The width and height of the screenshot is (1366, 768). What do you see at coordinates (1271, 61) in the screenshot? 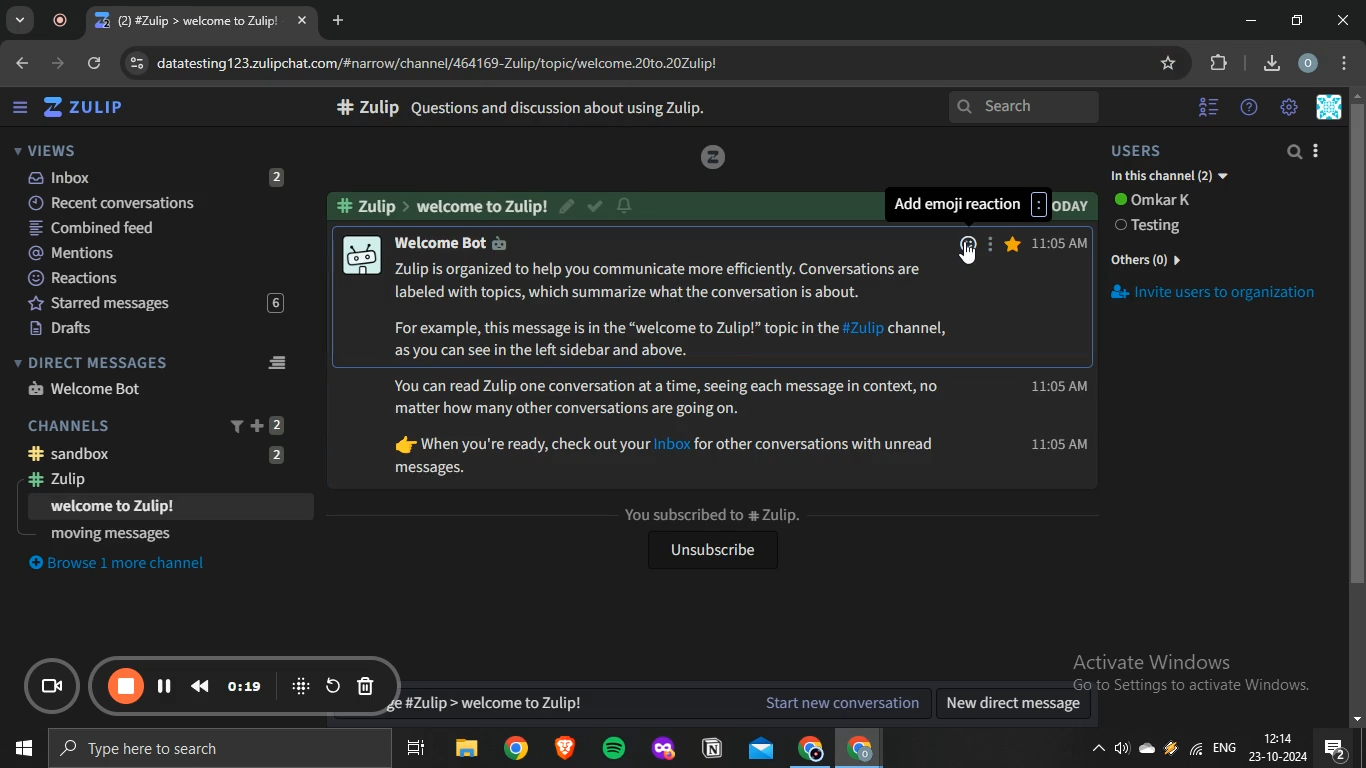
I see `downloads` at bounding box center [1271, 61].